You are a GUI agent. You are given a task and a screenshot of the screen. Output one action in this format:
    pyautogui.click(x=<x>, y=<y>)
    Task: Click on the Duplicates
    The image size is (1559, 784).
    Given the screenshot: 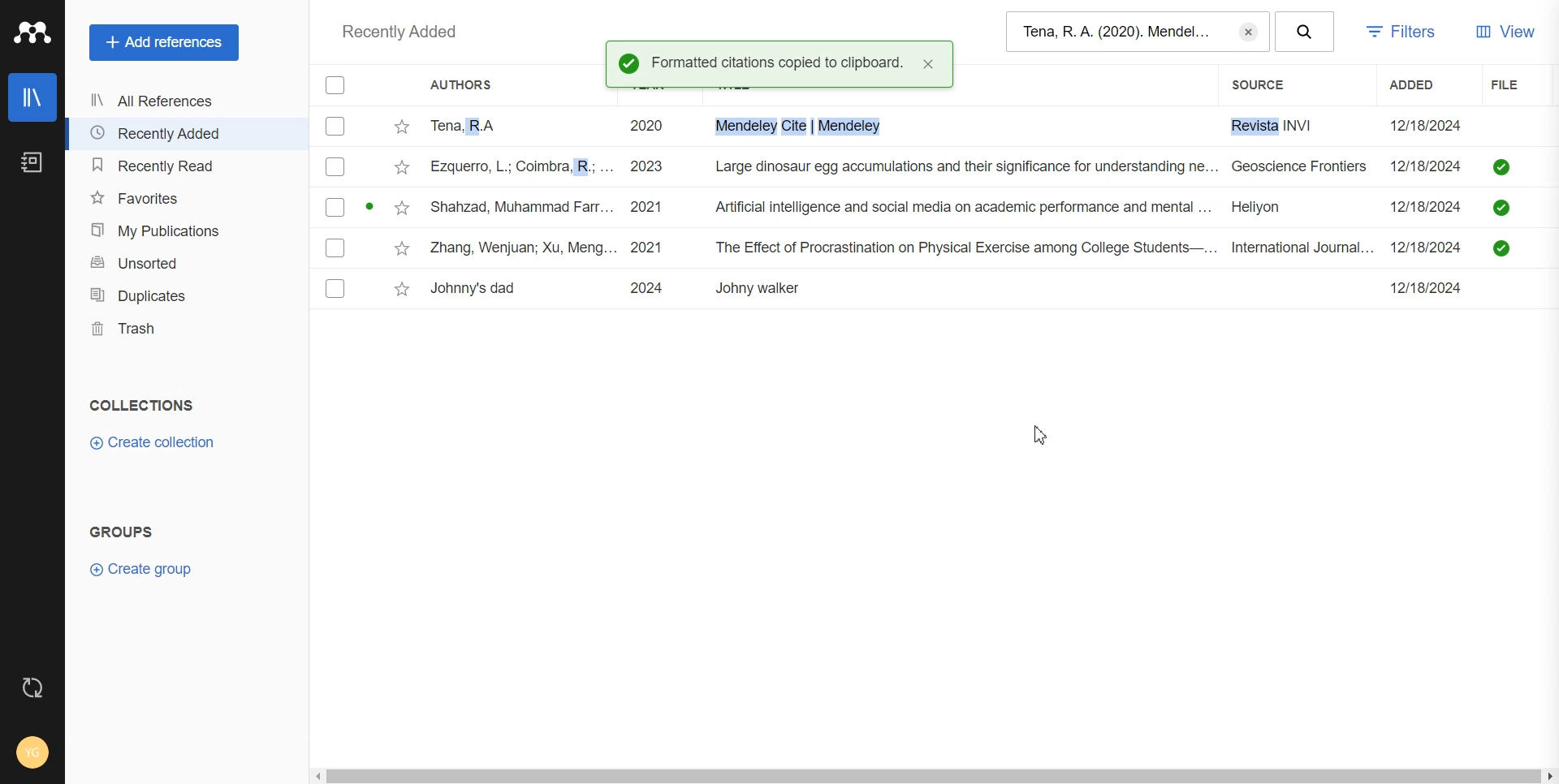 What is the action you would take?
    pyautogui.click(x=188, y=295)
    